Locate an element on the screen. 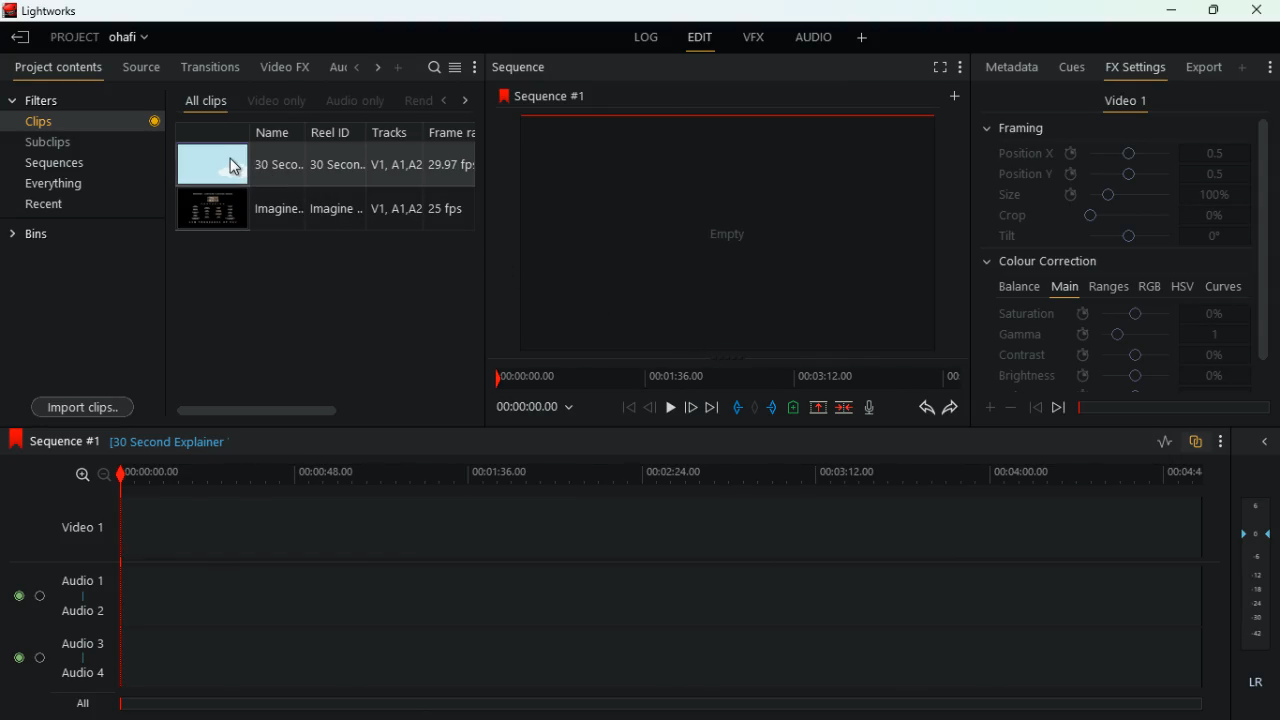  back is located at coordinates (922, 409).